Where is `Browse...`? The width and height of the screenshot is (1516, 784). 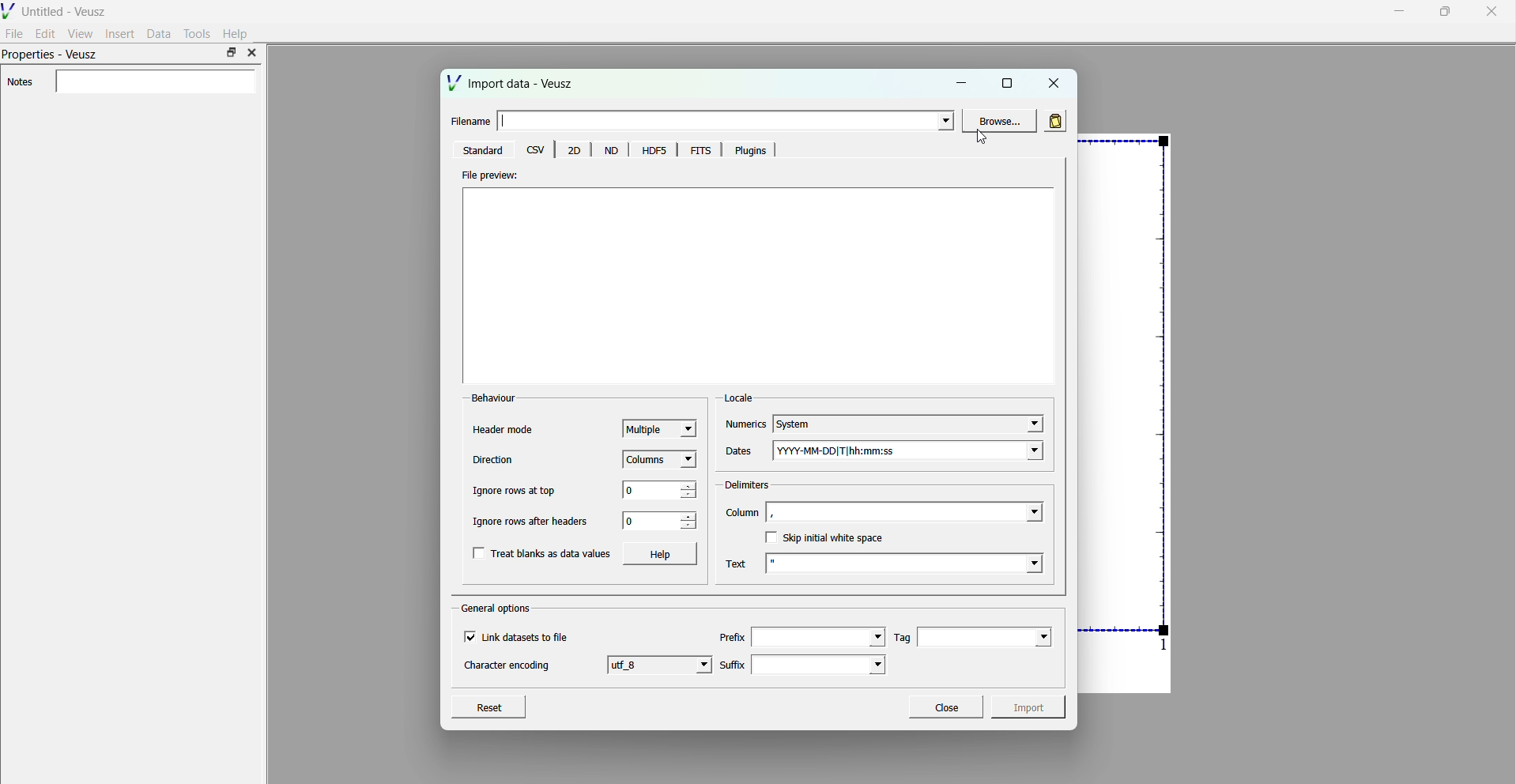 Browse... is located at coordinates (997, 121).